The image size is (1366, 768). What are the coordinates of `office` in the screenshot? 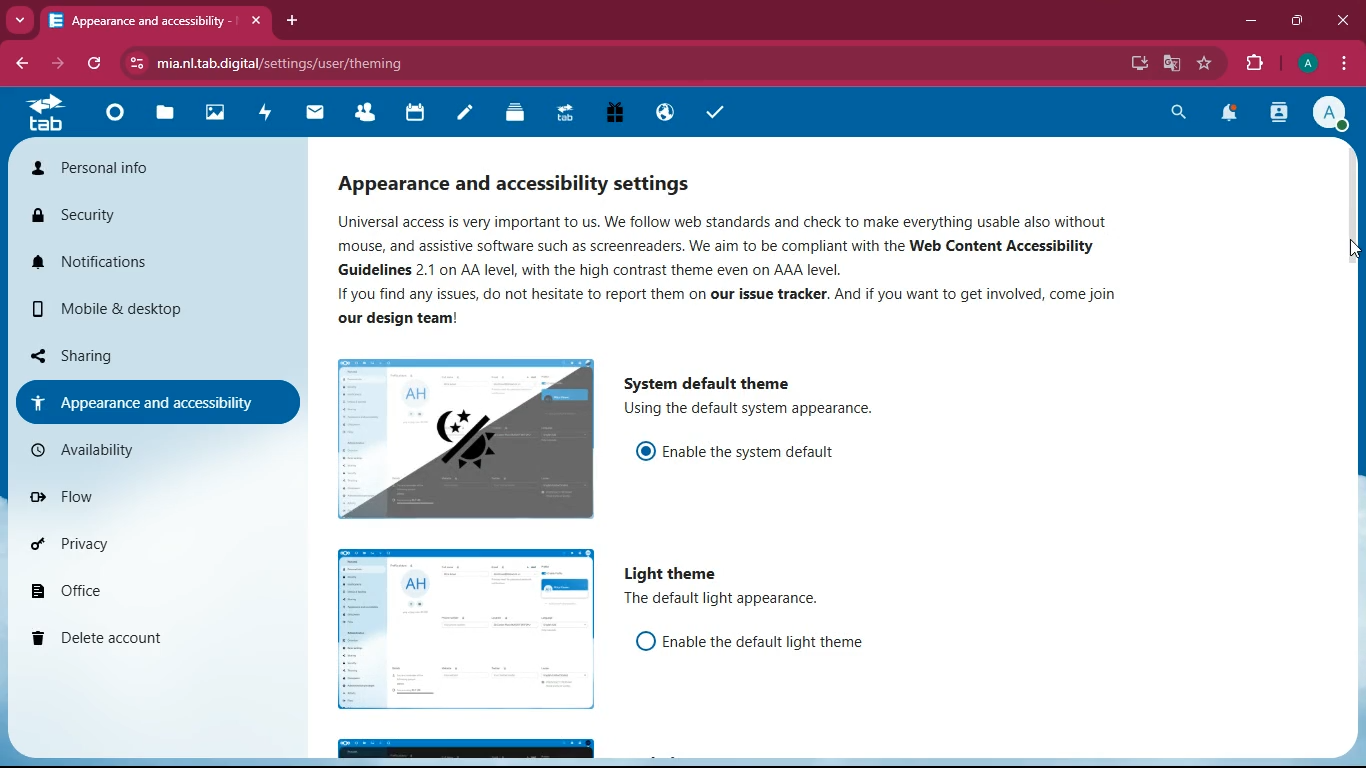 It's located at (167, 593).